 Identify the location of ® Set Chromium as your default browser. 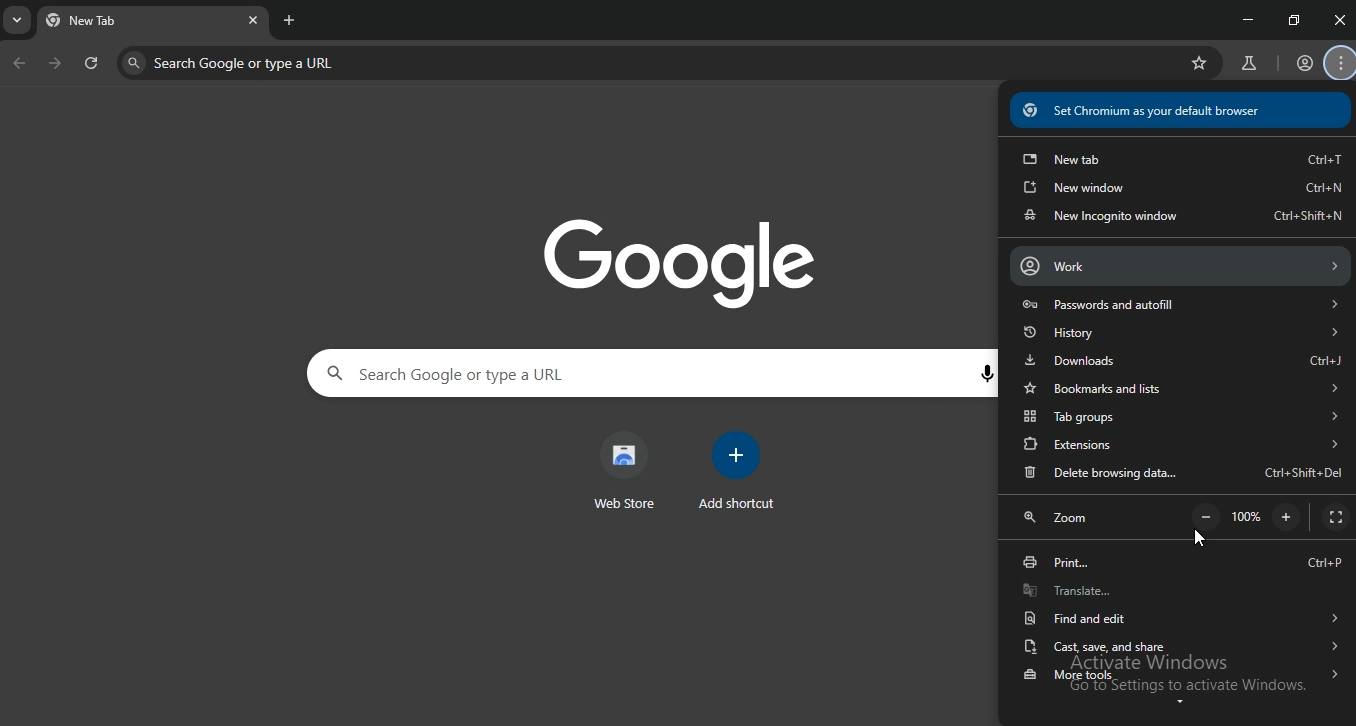
(1173, 108).